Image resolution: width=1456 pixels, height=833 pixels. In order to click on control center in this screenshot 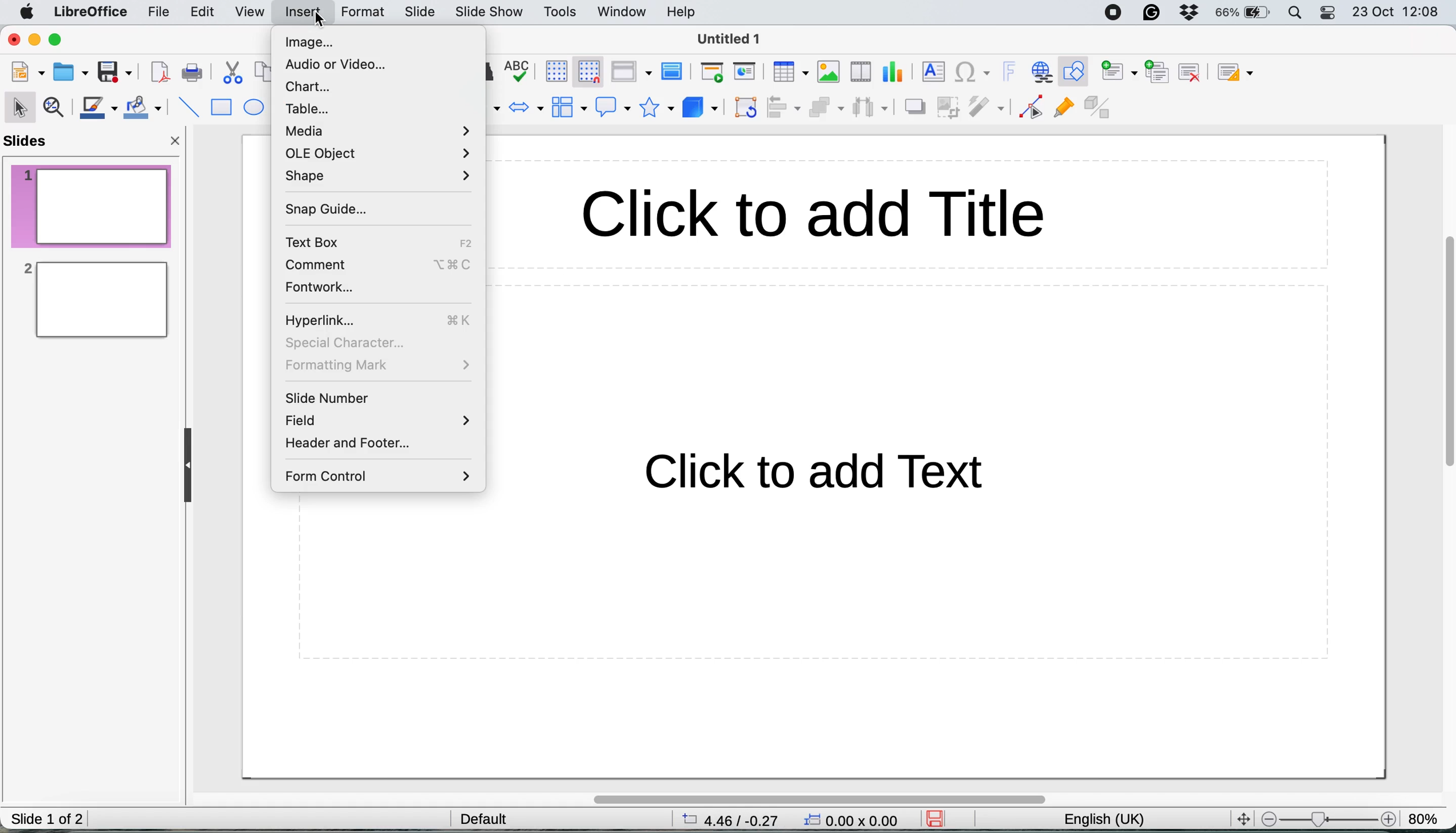, I will do `click(1329, 14)`.